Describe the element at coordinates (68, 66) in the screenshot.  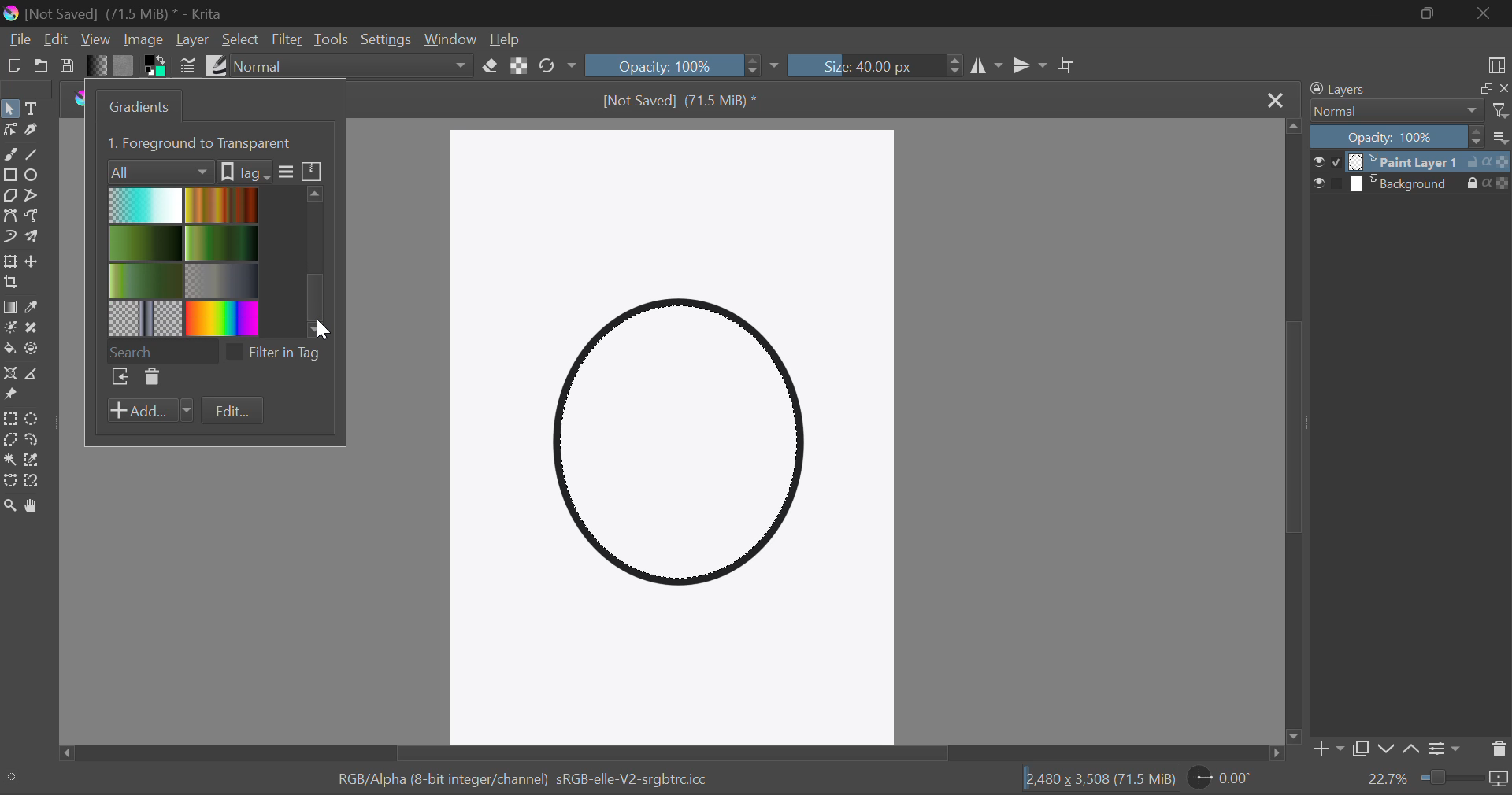
I see `Save` at that location.